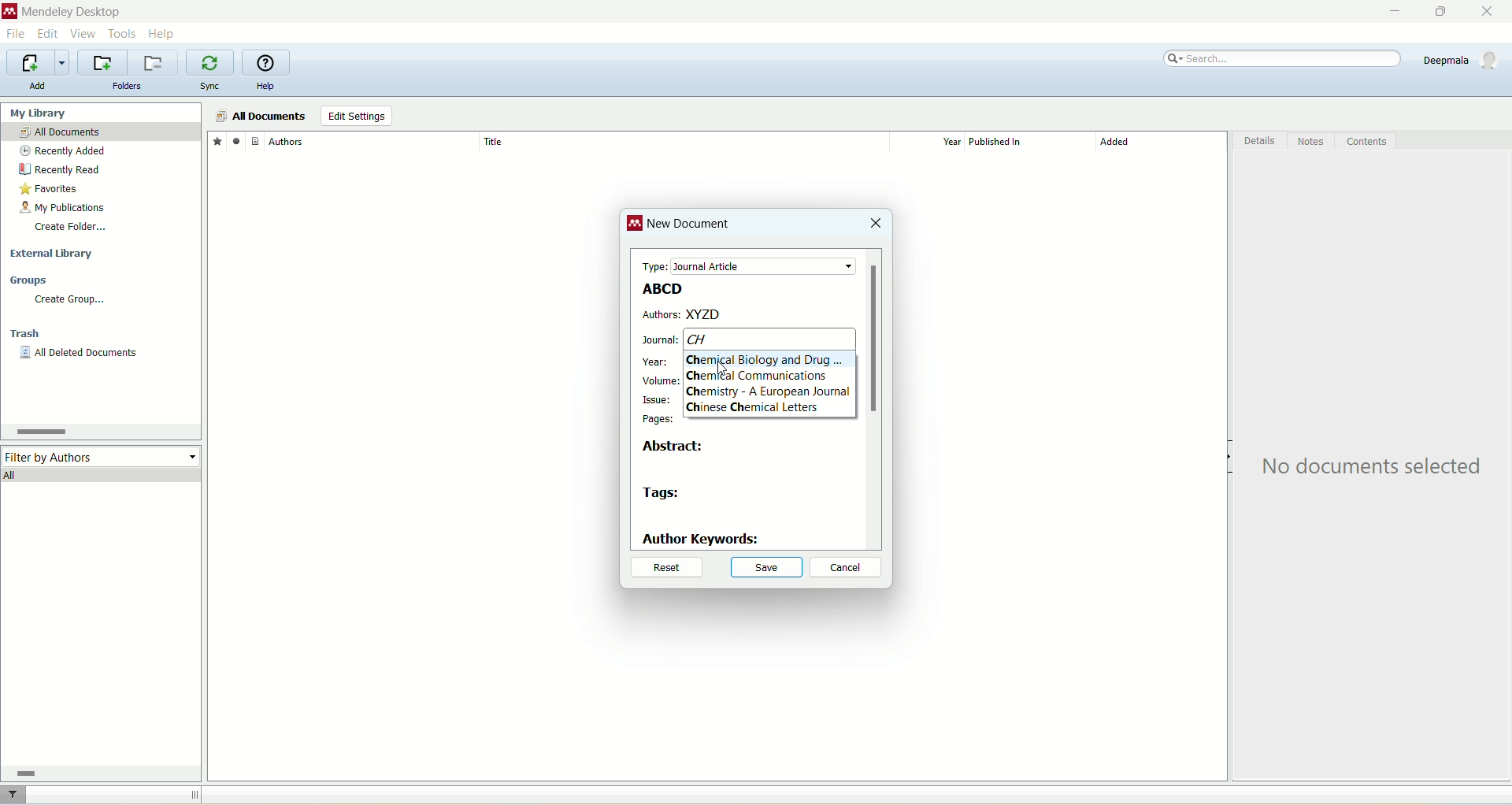  I want to click on close, so click(875, 224).